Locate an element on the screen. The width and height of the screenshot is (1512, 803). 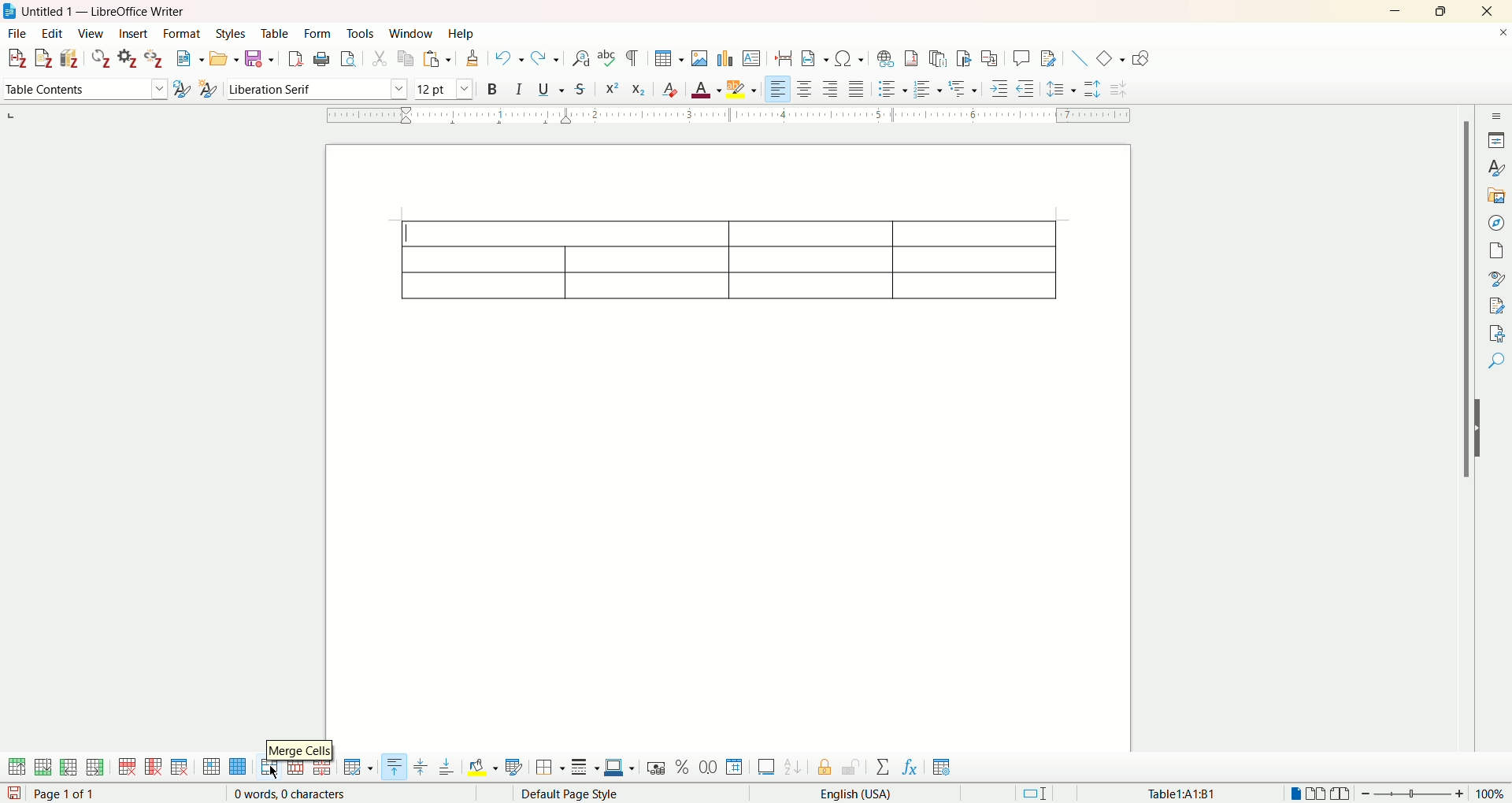
maximize is located at coordinates (1441, 11).